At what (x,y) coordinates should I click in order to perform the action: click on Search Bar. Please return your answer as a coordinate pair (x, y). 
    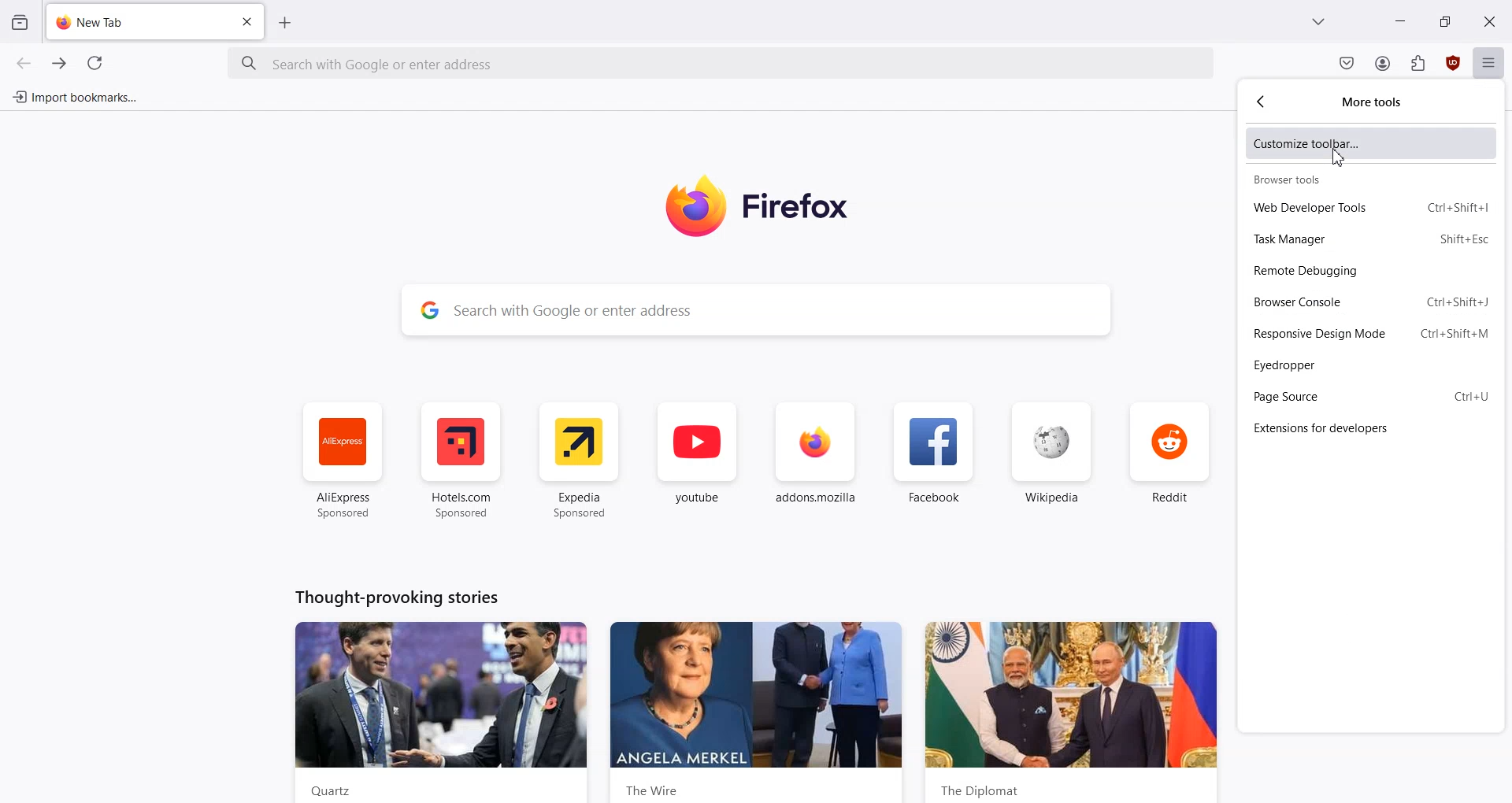
    Looking at the image, I should click on (754, 307).